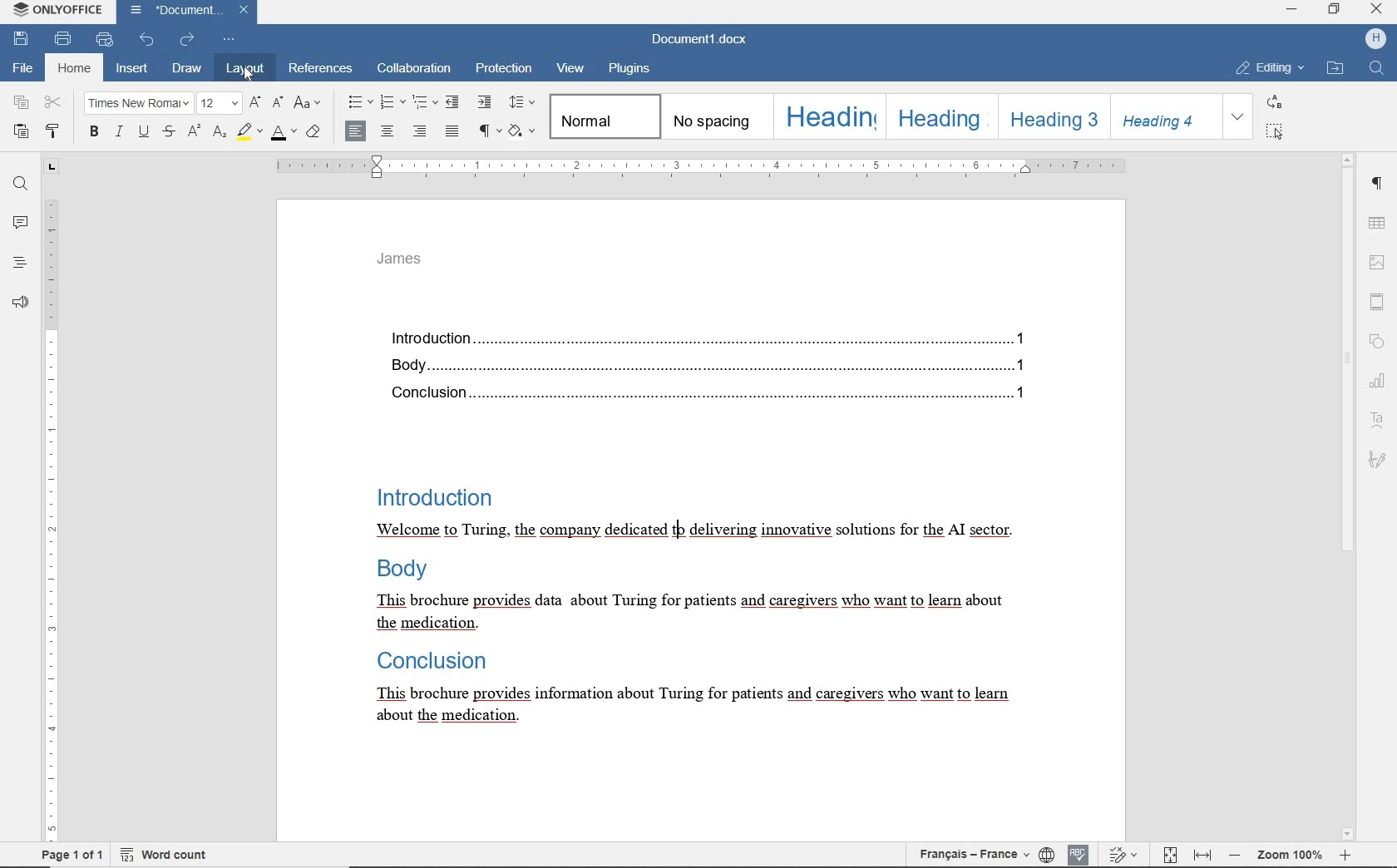  What do you see at coordinates (73, 70) in the screenshot?
I see `home` at bounding box center [73, 70].